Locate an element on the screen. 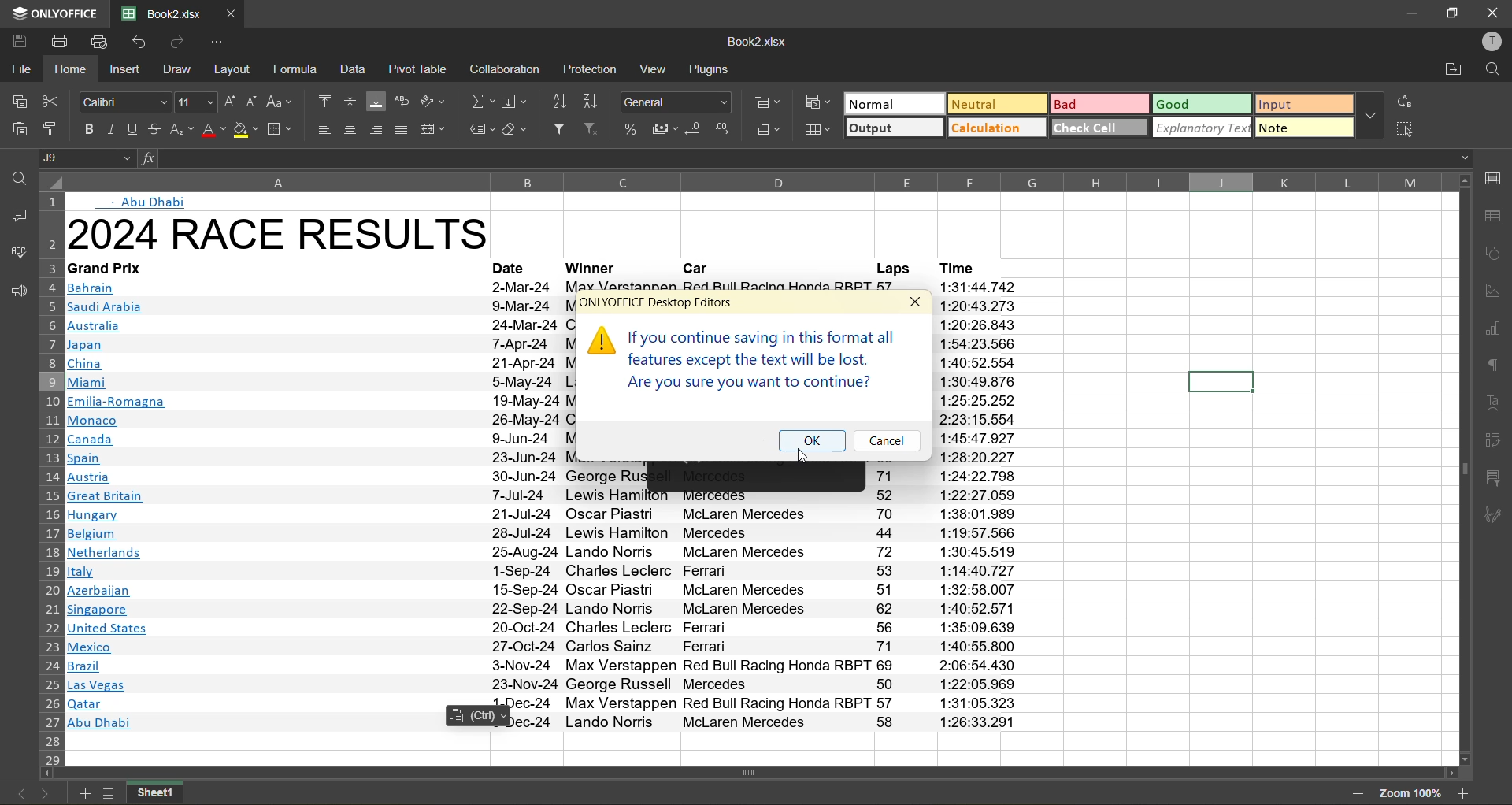  text is located at coordinates (1493, 403).